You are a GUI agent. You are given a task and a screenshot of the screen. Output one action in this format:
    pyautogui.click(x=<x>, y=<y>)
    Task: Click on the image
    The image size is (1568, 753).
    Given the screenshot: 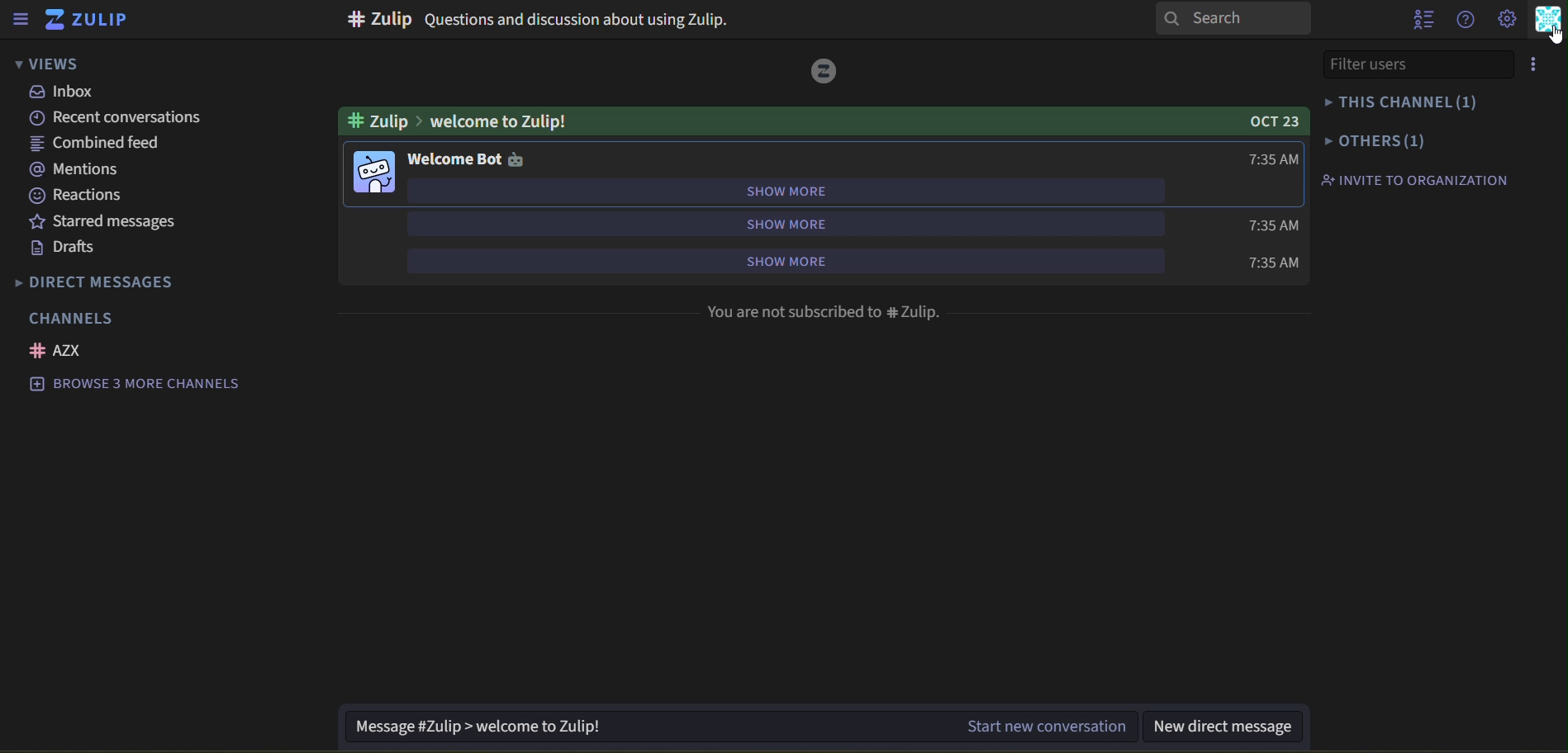 What is the action you would take?
    pyautogui.click(x=375, y=175)
    